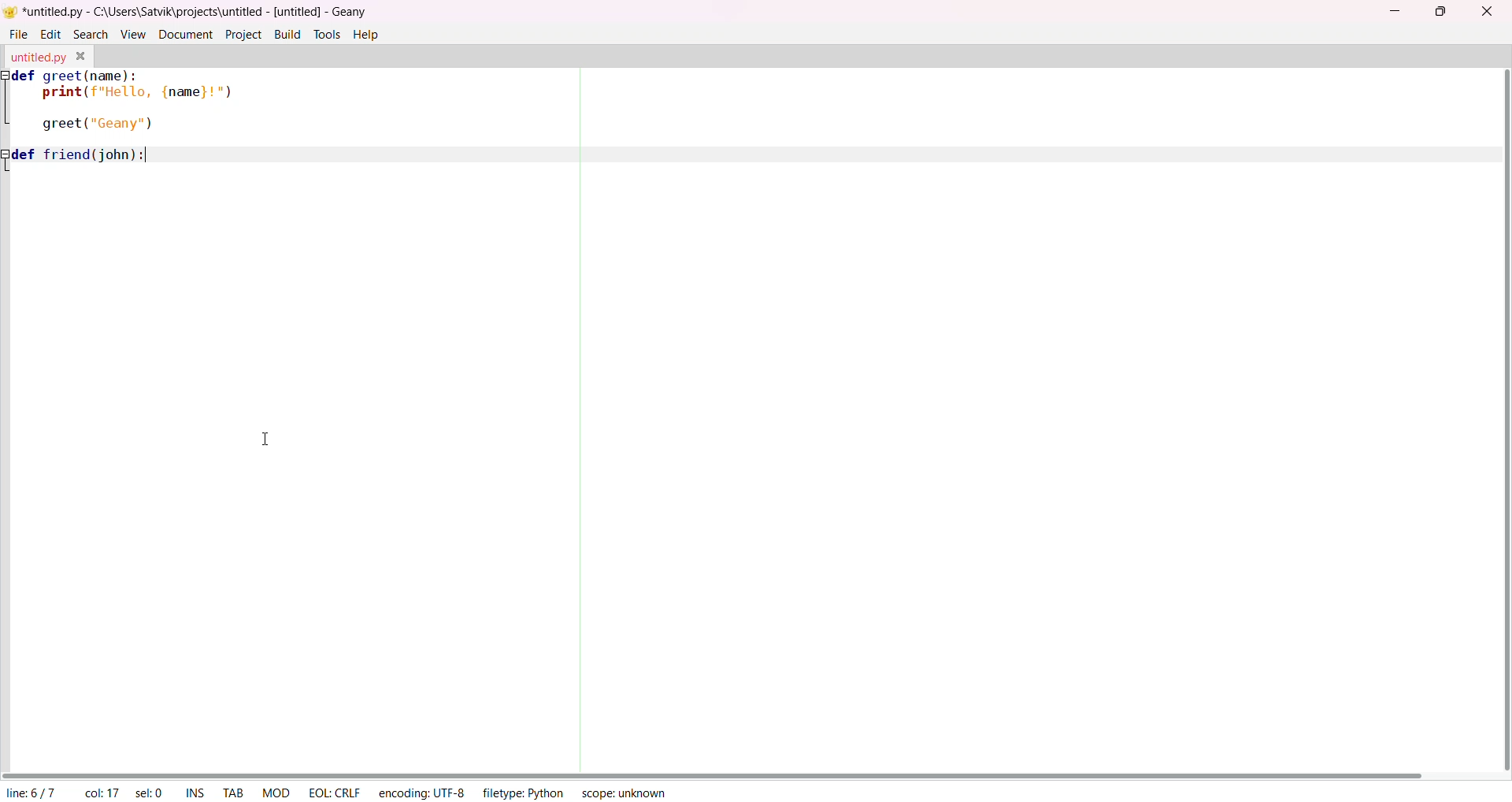 This screenshot has width=1512, height=802. I want to click on INS, so click(195, 792).